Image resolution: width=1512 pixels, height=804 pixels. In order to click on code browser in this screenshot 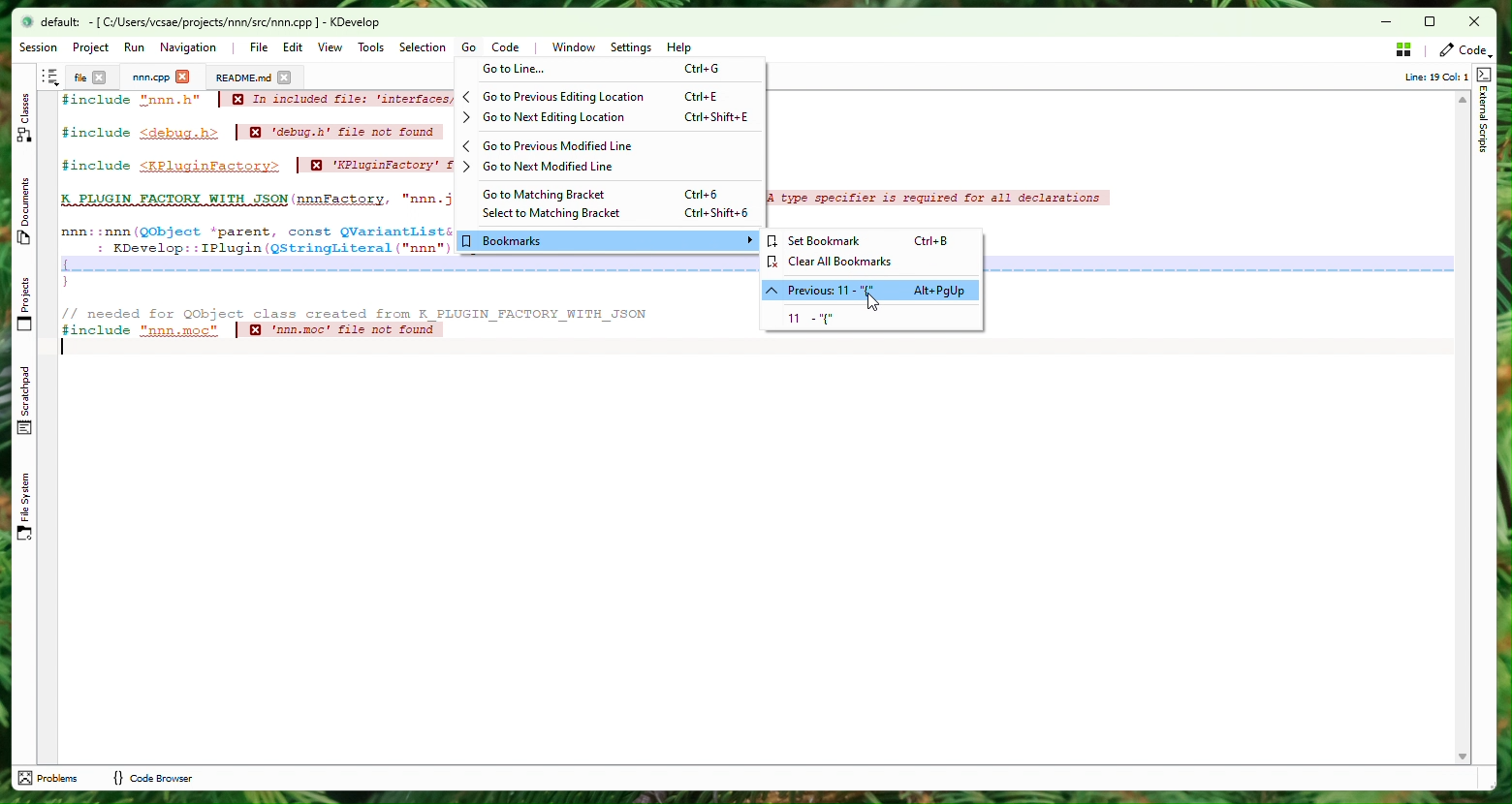, I will do `click(152, 778)`.